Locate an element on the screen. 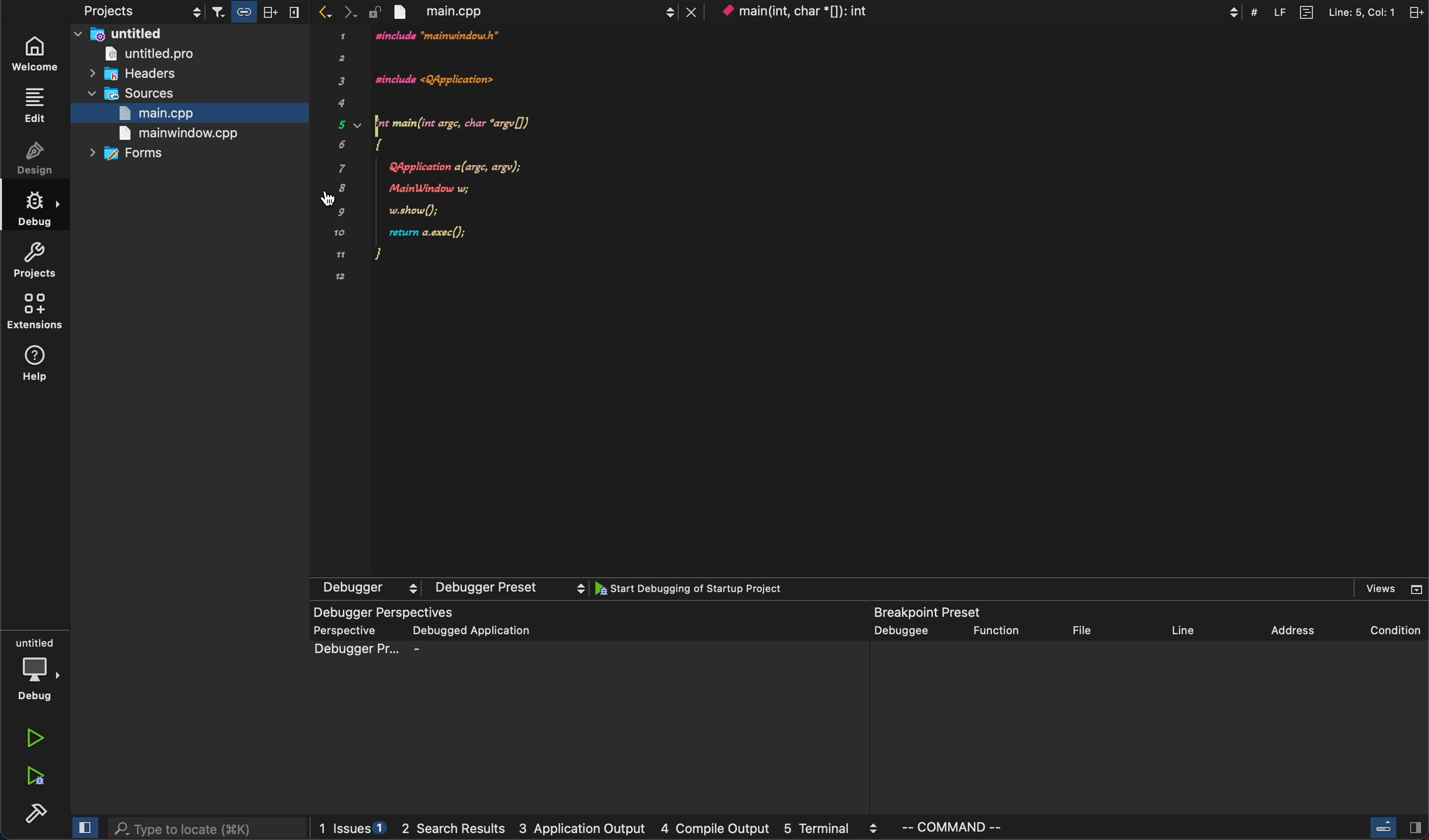  compile output is located at coordinates (717, 829).